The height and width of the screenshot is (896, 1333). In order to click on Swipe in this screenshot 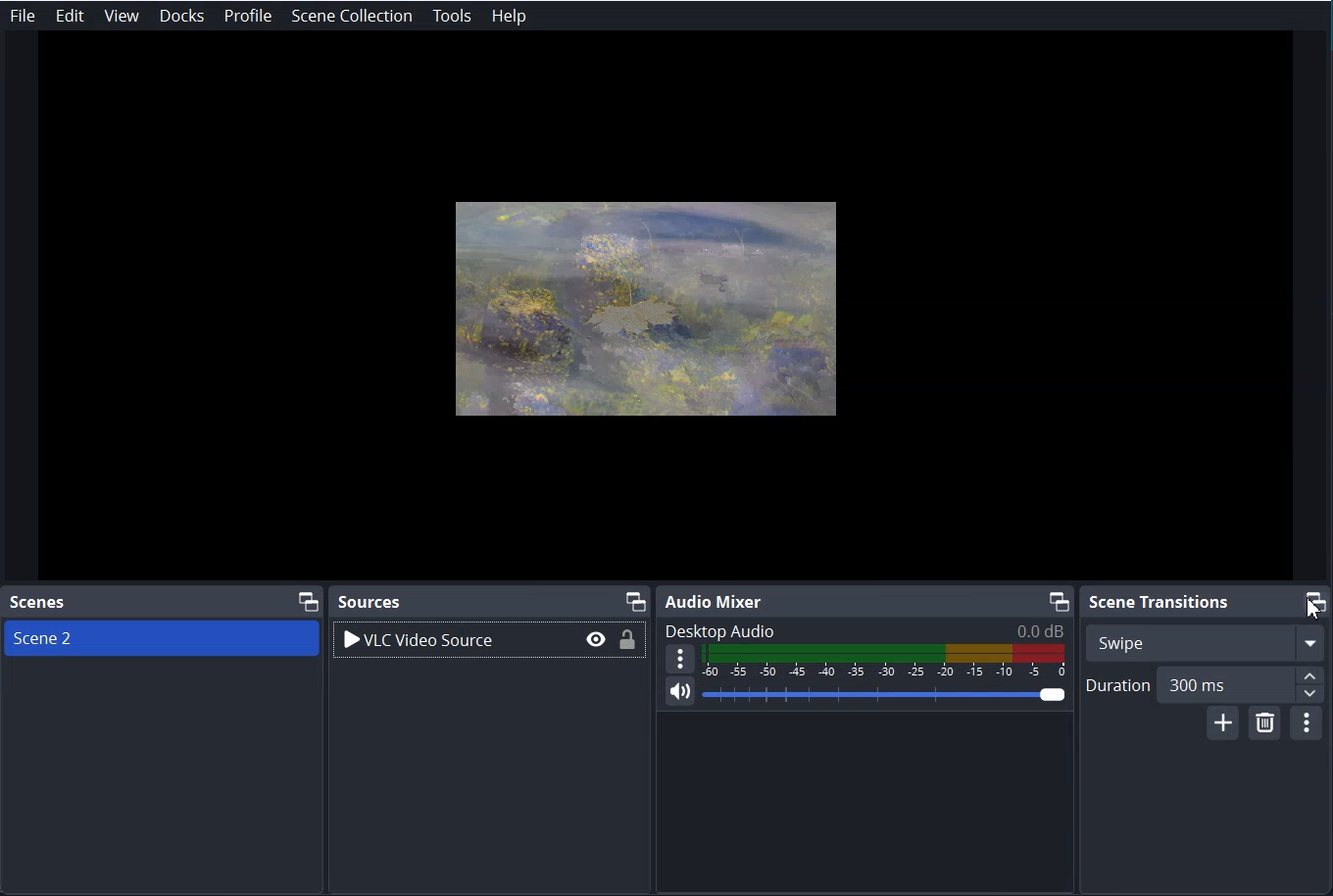, I will do `click(1201, 642)`.